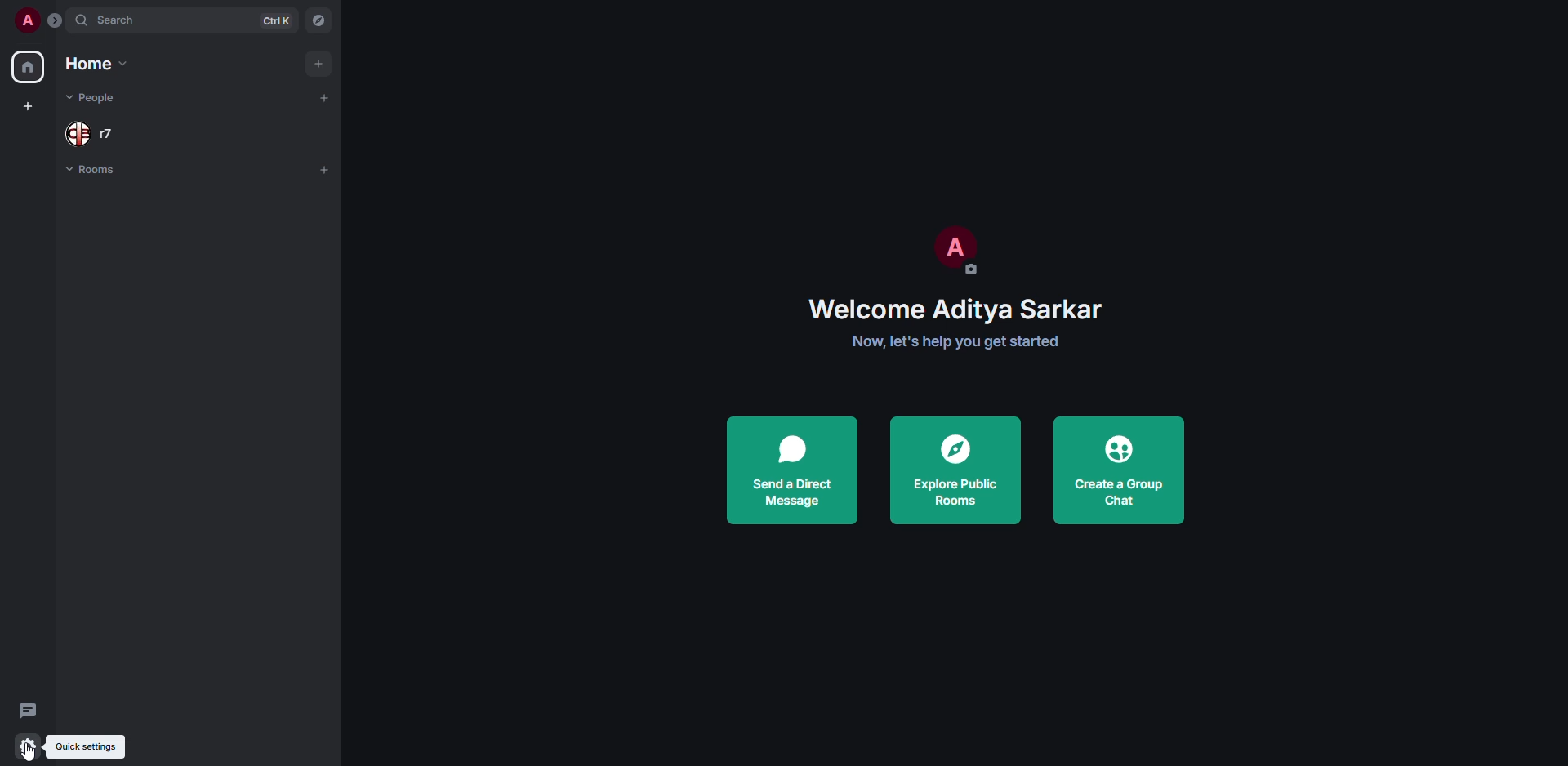 The width and height of the screenshot is (1568, 766). I want to click on people, so click(95, 96).